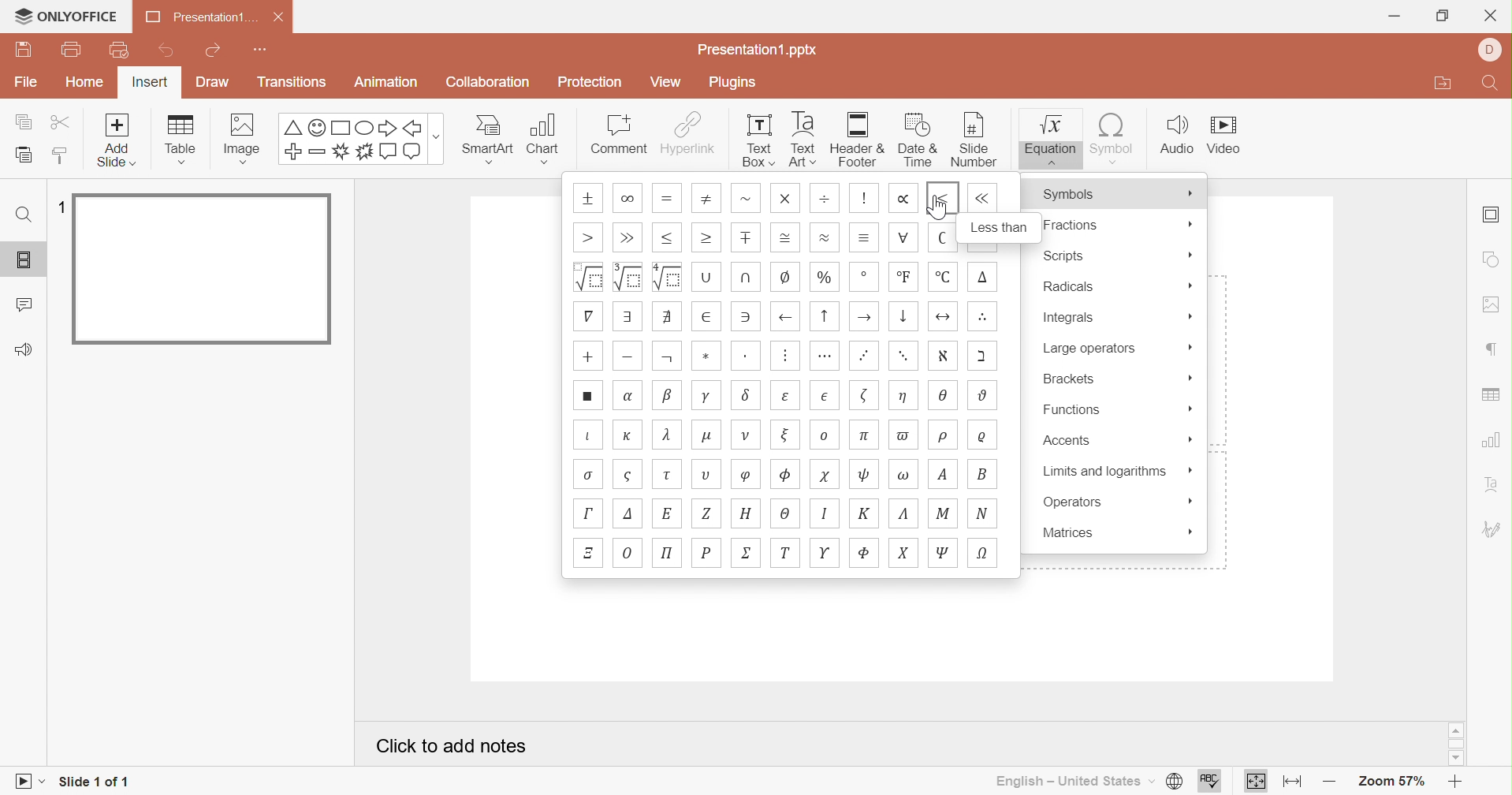 The height and width of the screenshot is (795, 1512). What do you see at coordinates (1491, 303) in the screenshot?
I see `image settings` at bounding box center [1491, 303].